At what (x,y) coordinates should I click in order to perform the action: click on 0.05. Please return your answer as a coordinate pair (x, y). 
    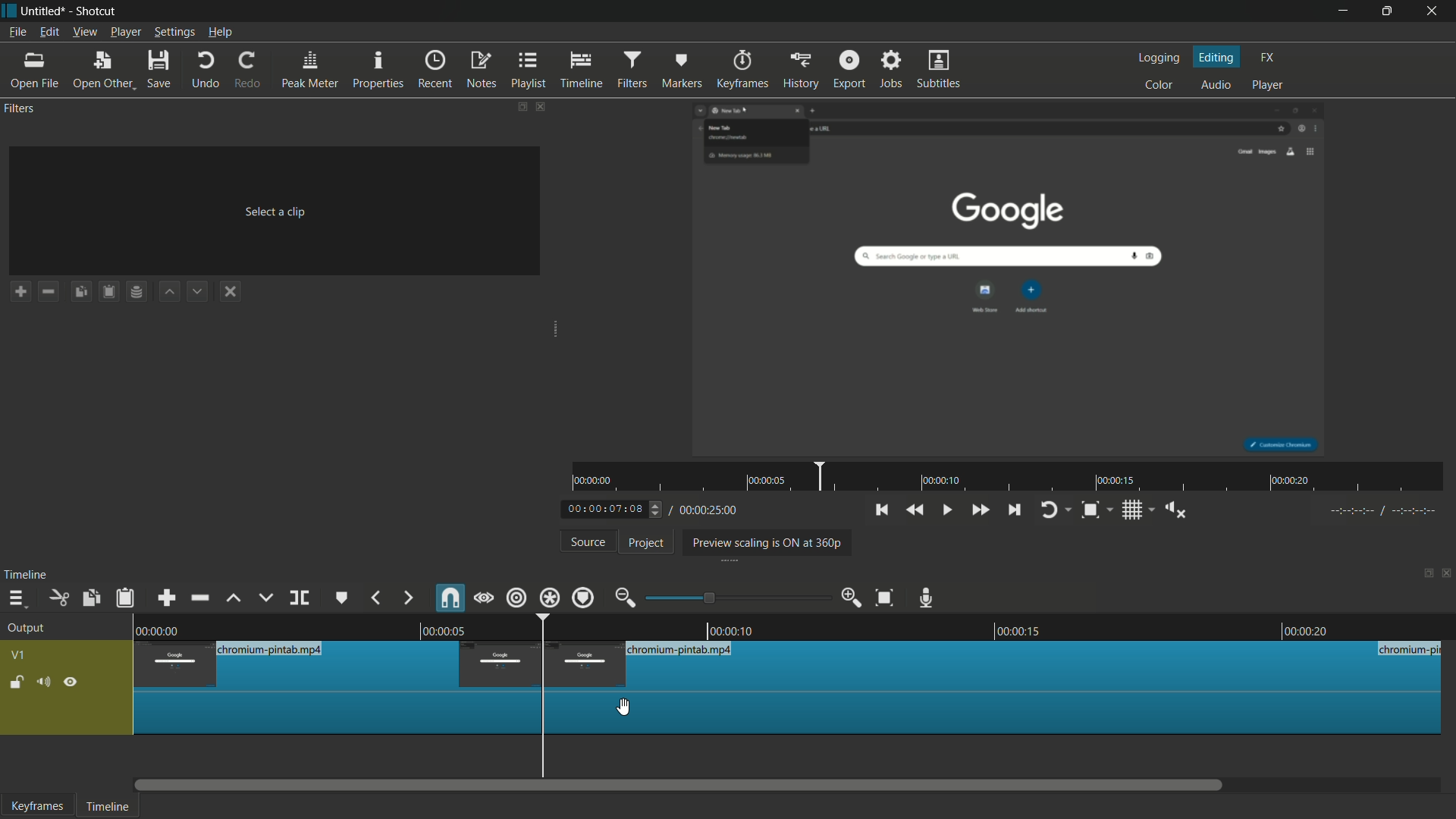
    Looking at the image, I should click on (440, 629).